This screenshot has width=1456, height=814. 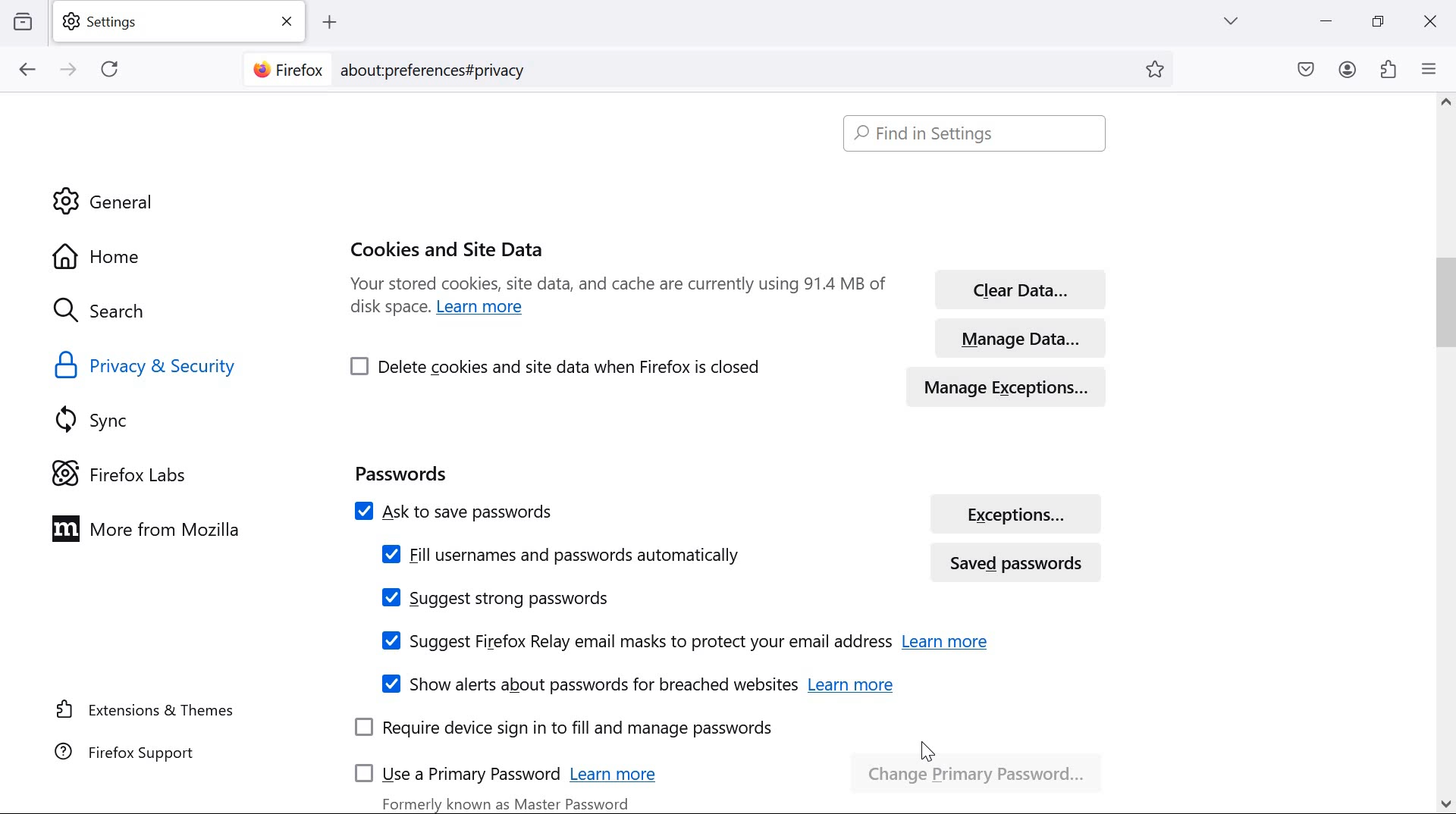 I want to click on close, so click(x=1429, y=23).